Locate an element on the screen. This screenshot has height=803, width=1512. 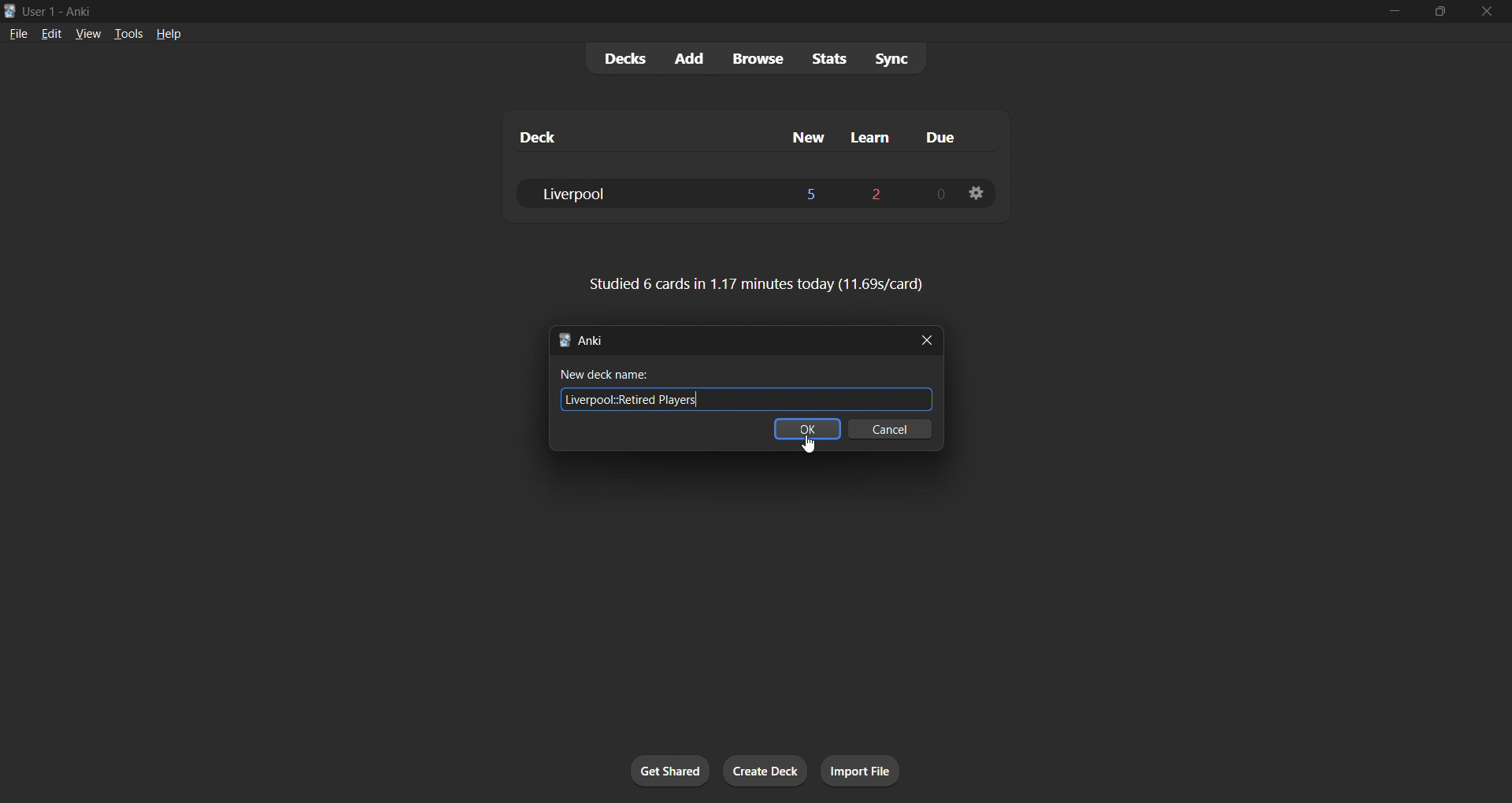
deck settings is located at coordinates (976, 193).